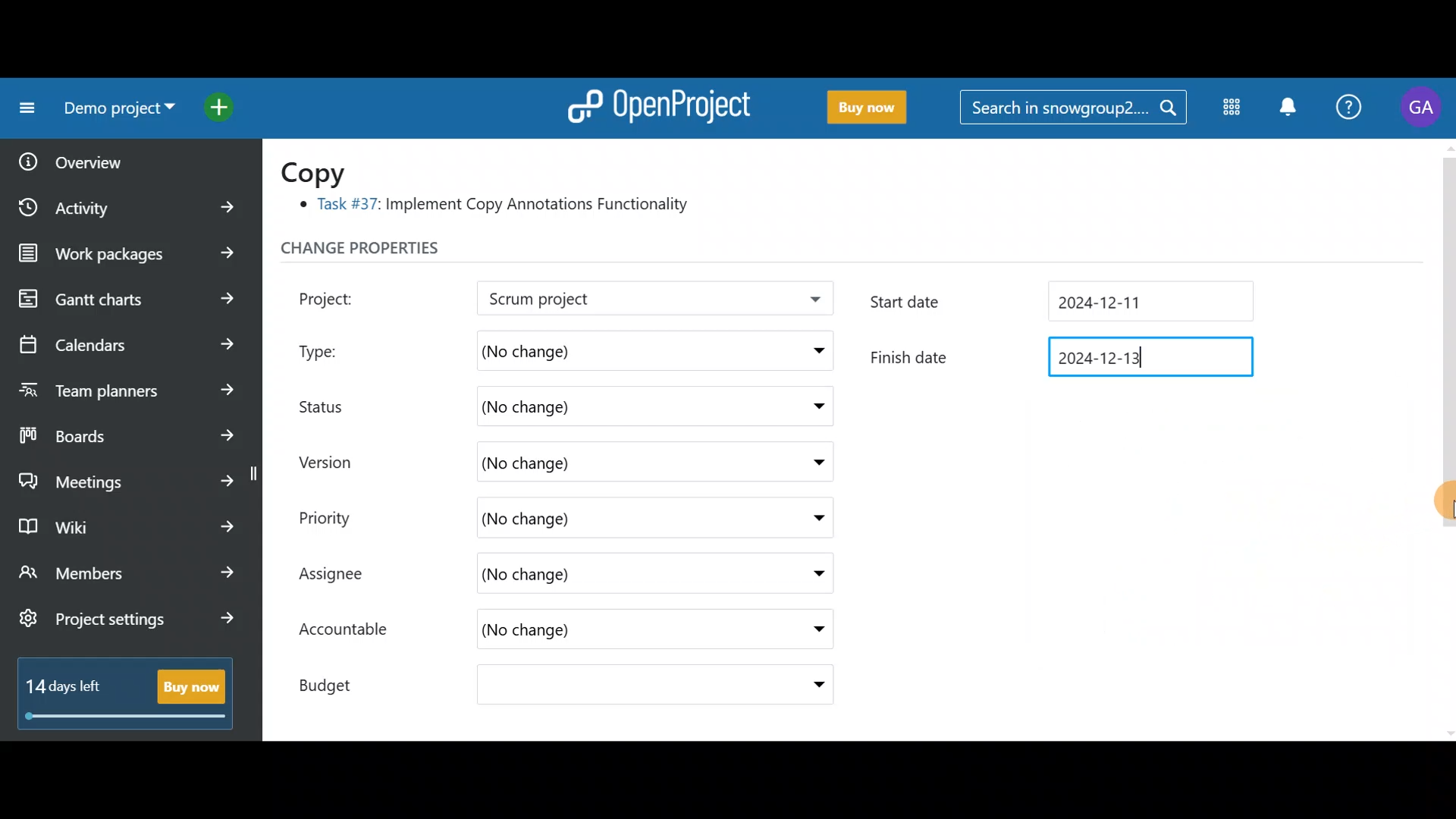  I want to click on Gantt charts, so click(128, 300).